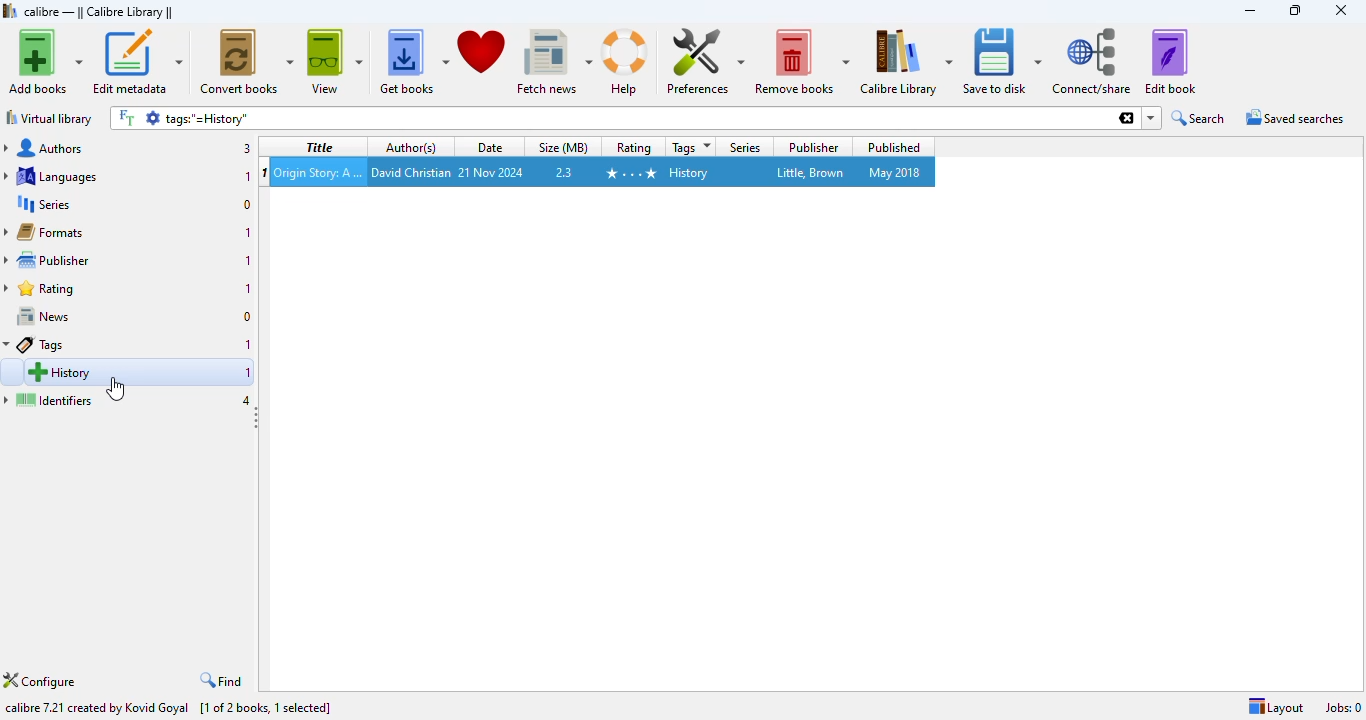  I want to click on formats, so click(44, 231).